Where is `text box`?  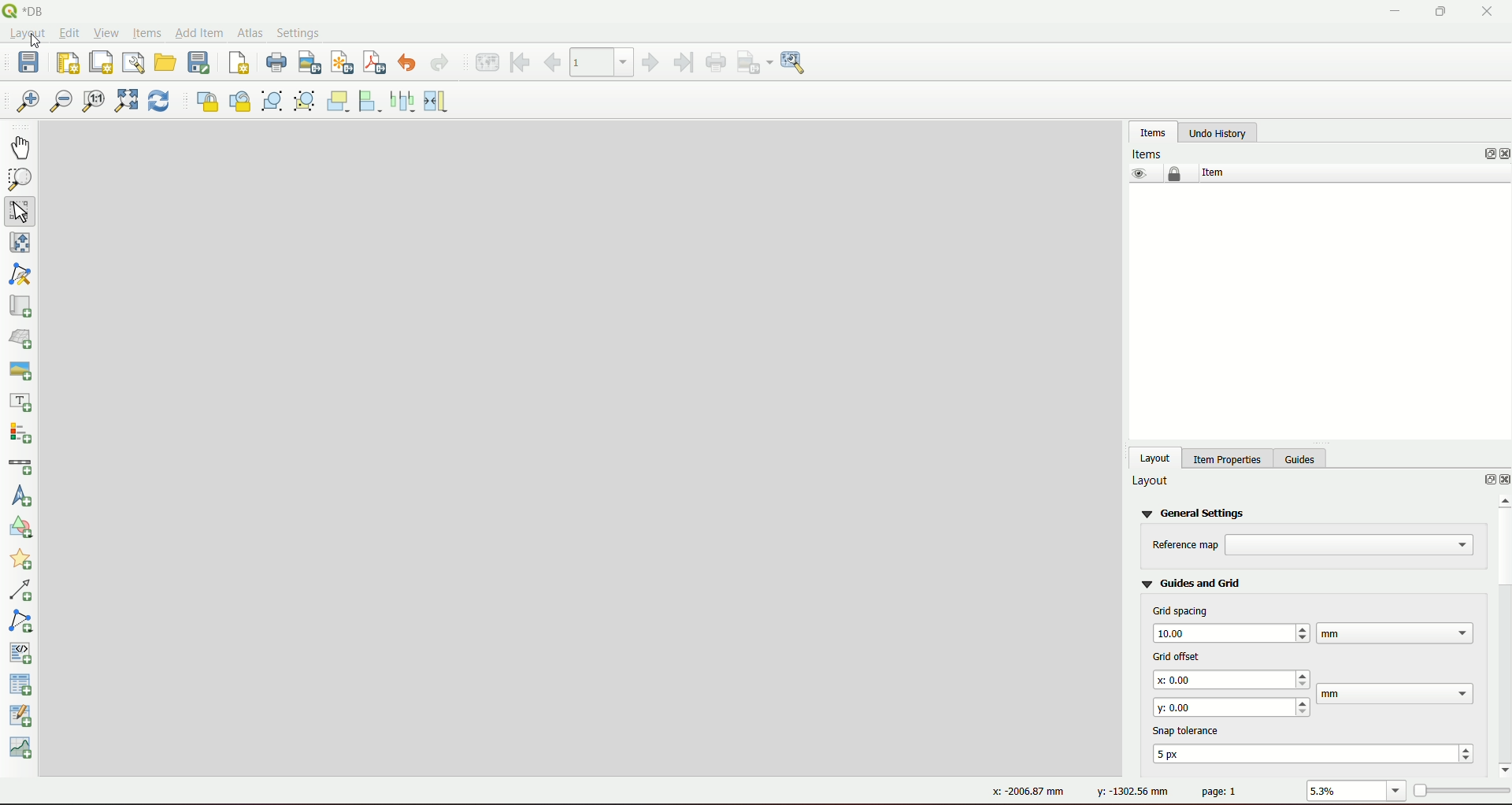 text box is located at coordinates (1232, 706).